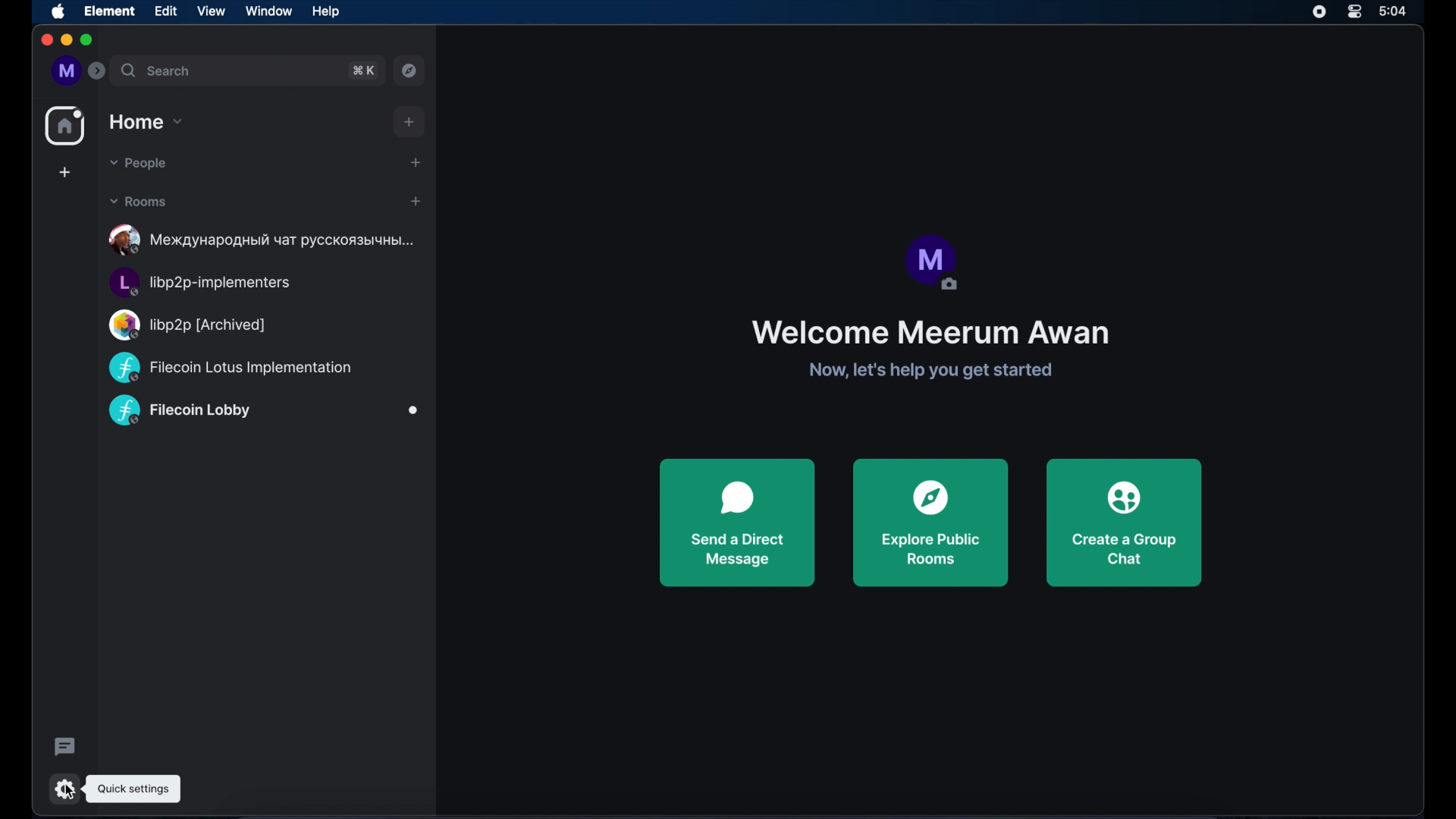  What do you see at coordinates (98, 71) in the screenshot?
I see `expand` at bounding box center [98, 71].